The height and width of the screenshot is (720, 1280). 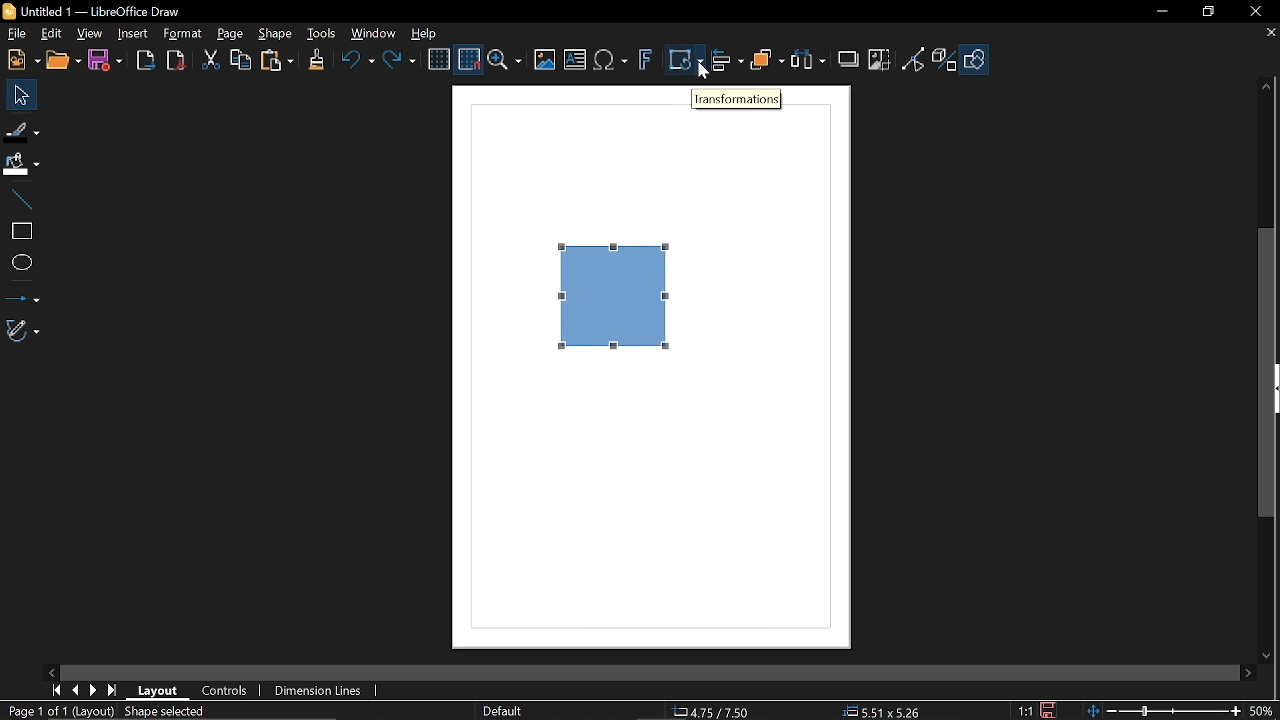 I want to click on Shapes, so click(x=974, y=59).